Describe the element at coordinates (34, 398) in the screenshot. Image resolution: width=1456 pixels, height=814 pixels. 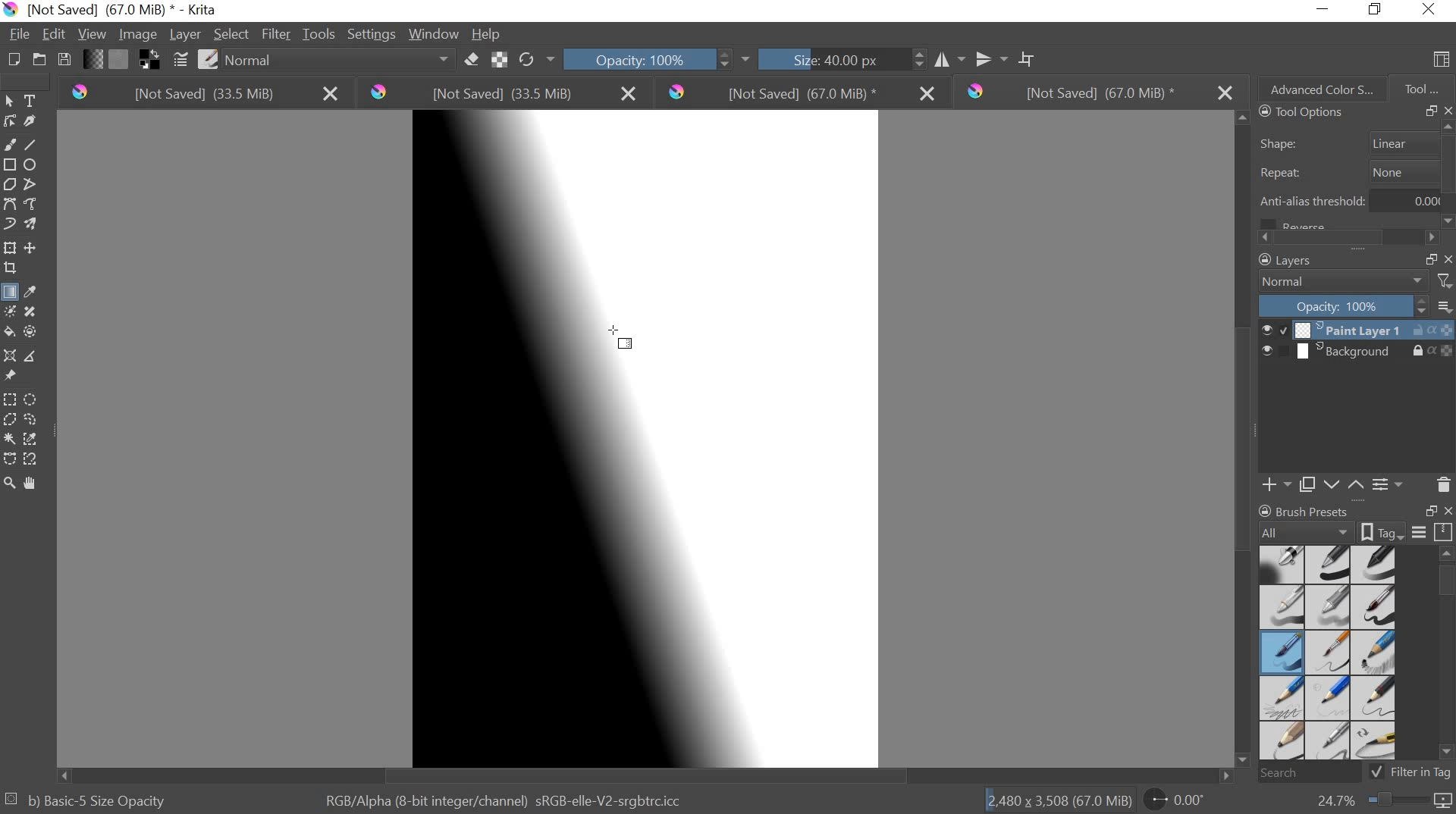
I see `circular selection` at that location.